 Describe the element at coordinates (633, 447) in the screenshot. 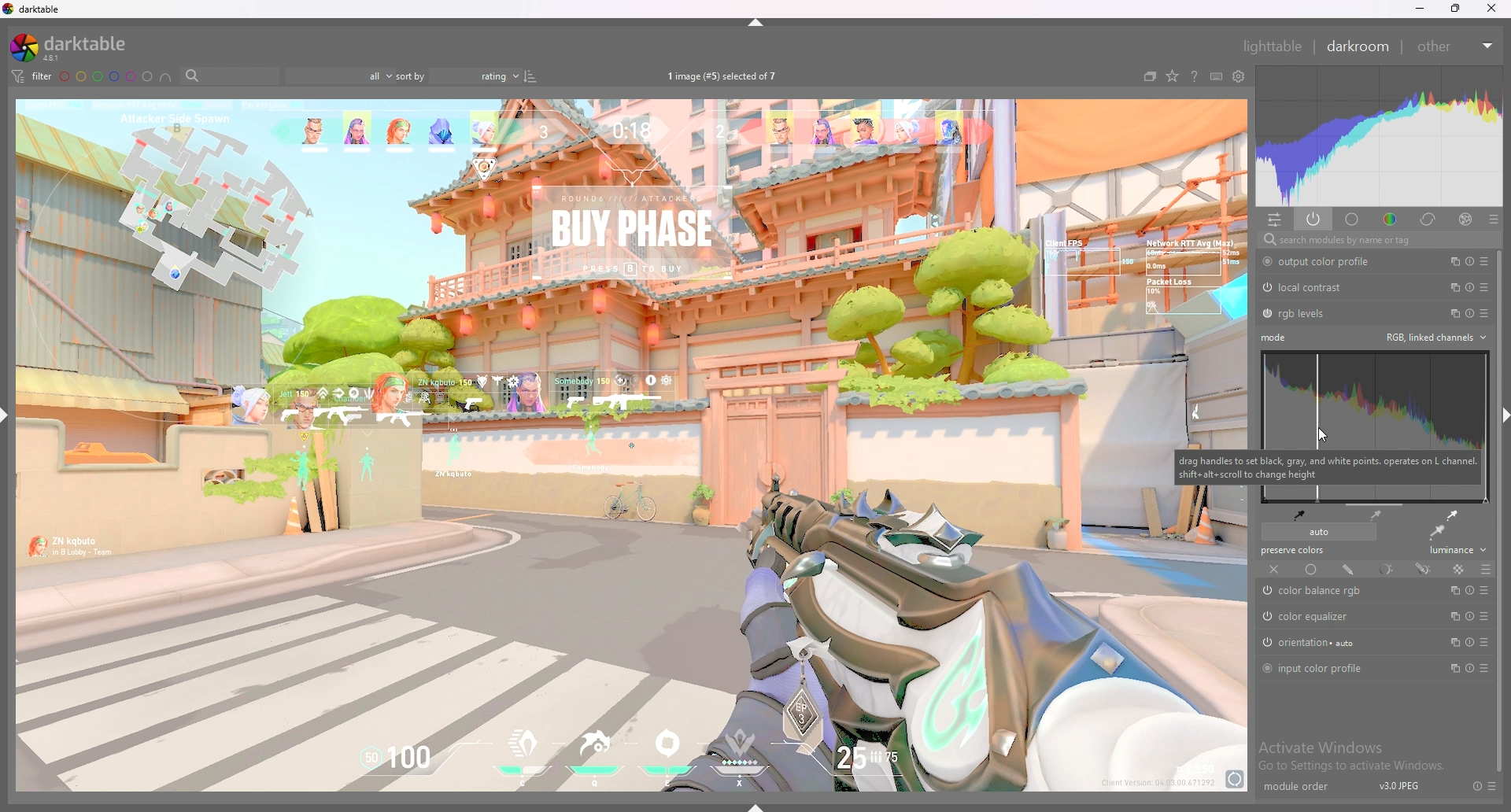

I see `image` at that location.